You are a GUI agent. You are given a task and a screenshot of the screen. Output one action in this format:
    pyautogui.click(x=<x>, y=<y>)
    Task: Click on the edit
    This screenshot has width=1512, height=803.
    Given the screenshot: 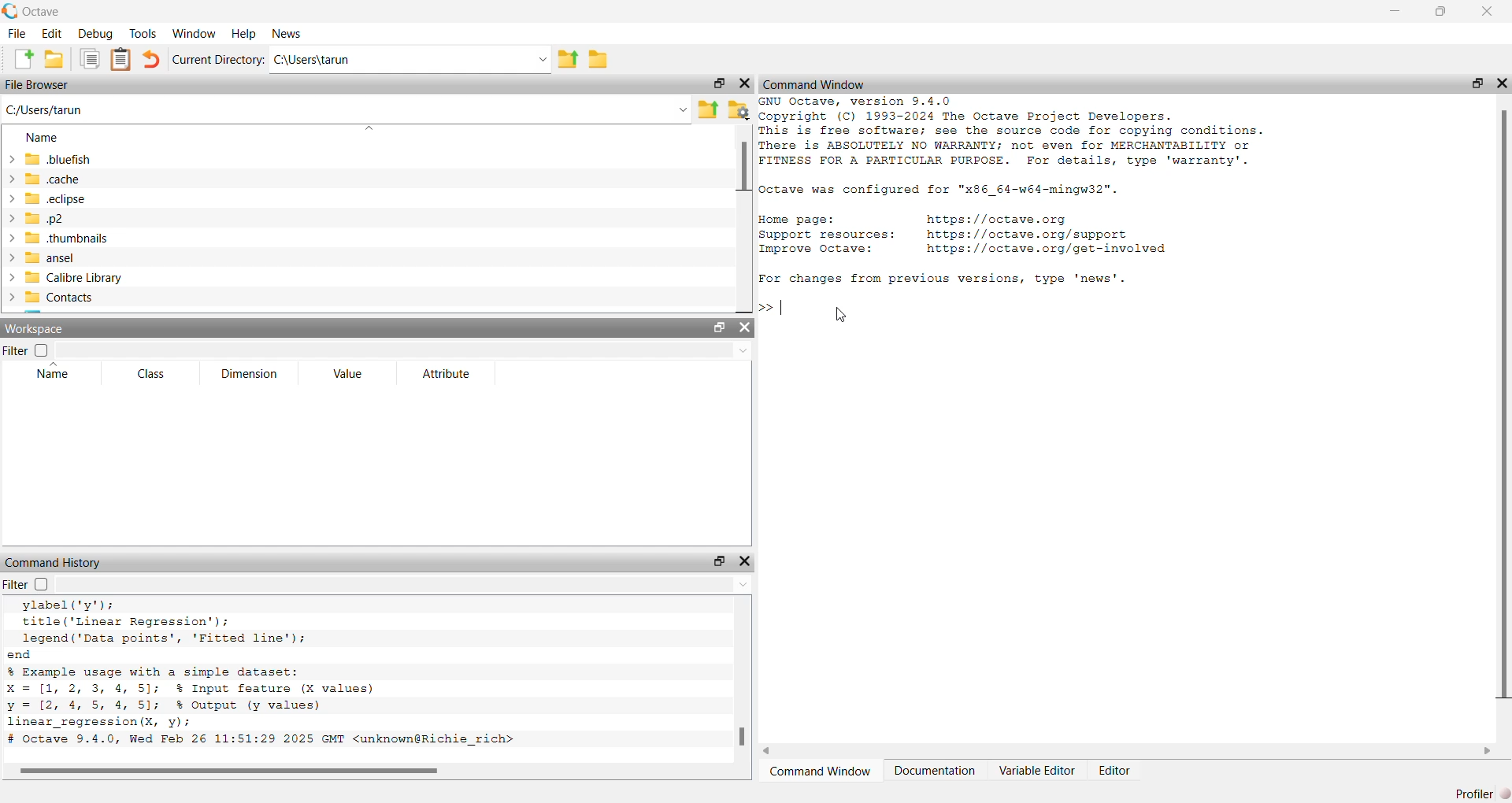 What is the action you would take?
    pyautogui.click(x=52, y=32)
    